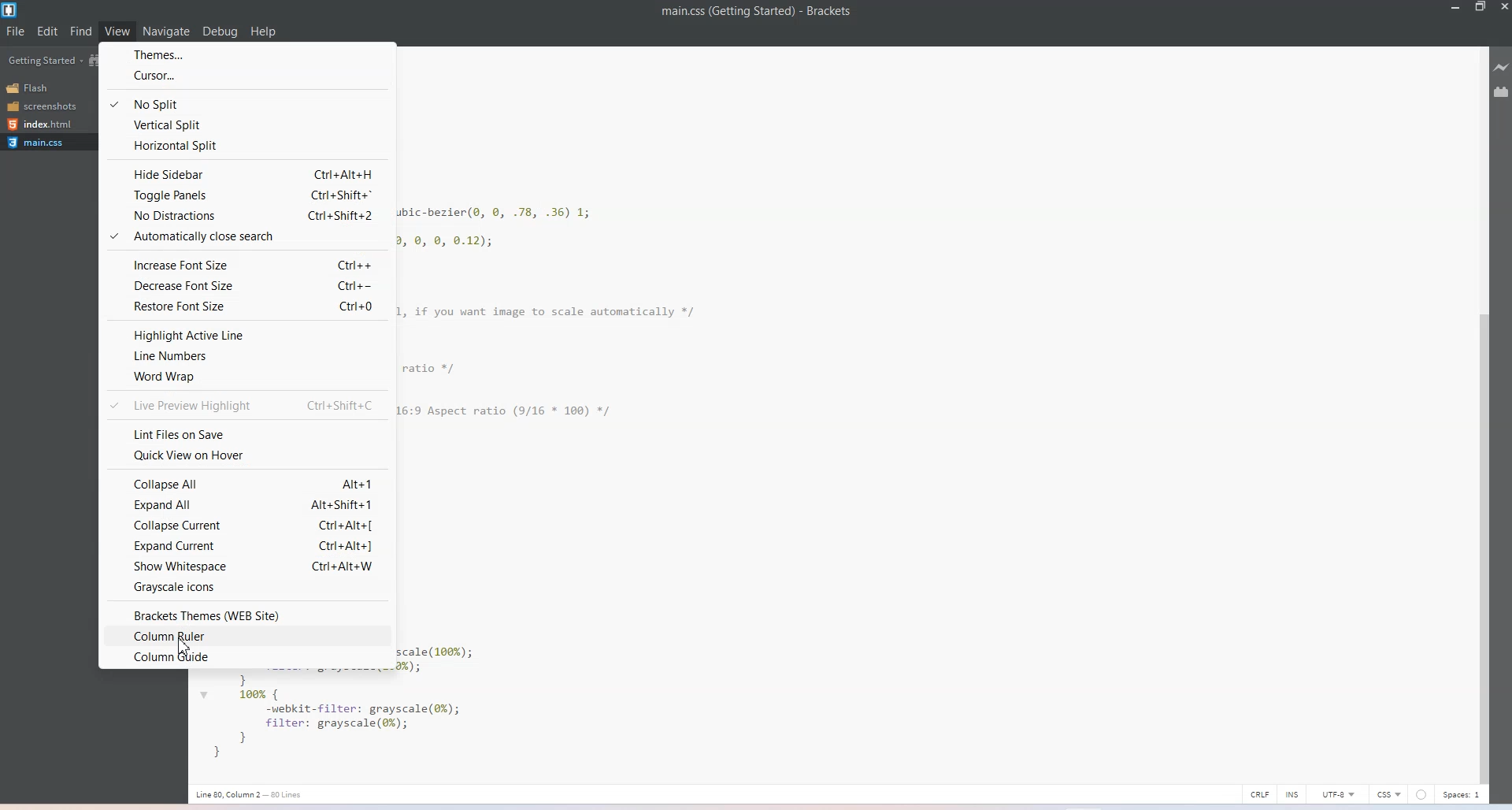 The image size is (1512, 810). What do you see at coordinates (246, 307) in the screenshot?
I see `Restore font size` at bounding box center [246, 307].